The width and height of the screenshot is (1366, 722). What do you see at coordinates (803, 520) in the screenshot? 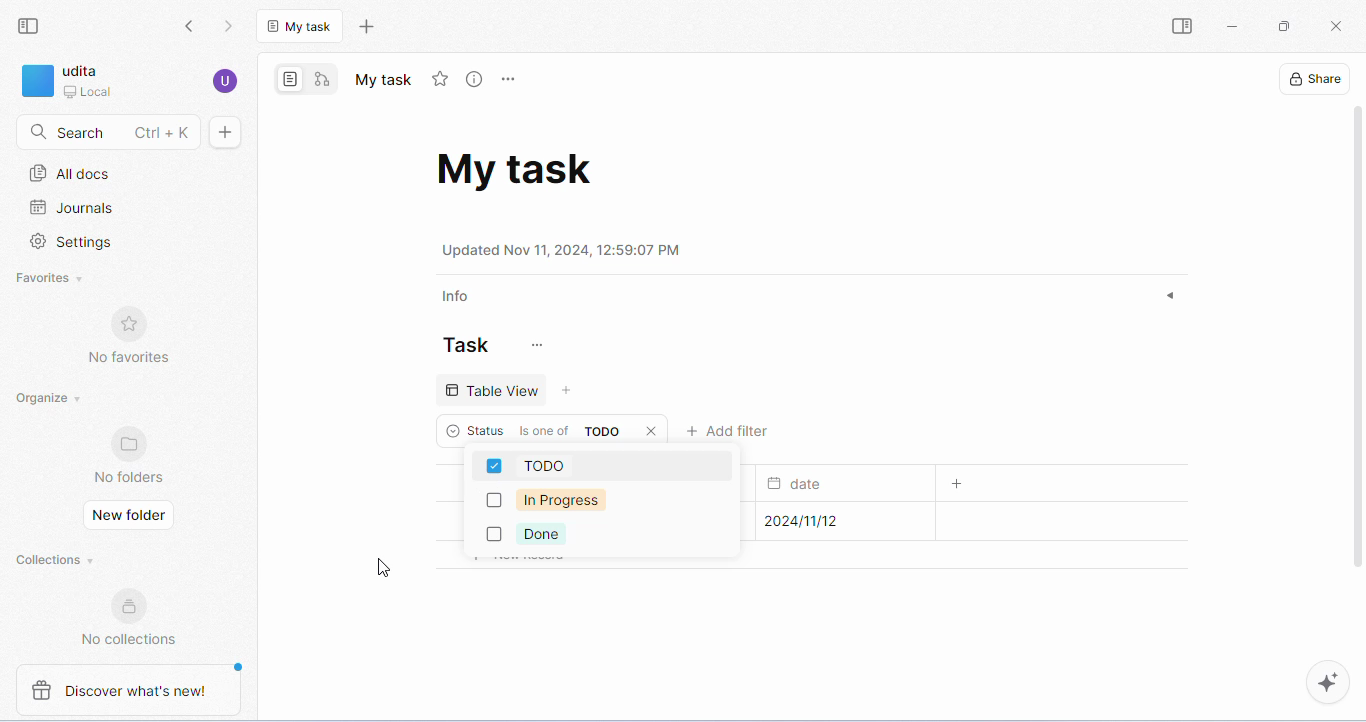
I see `submission date for task1` at bounding box center [803, 520].